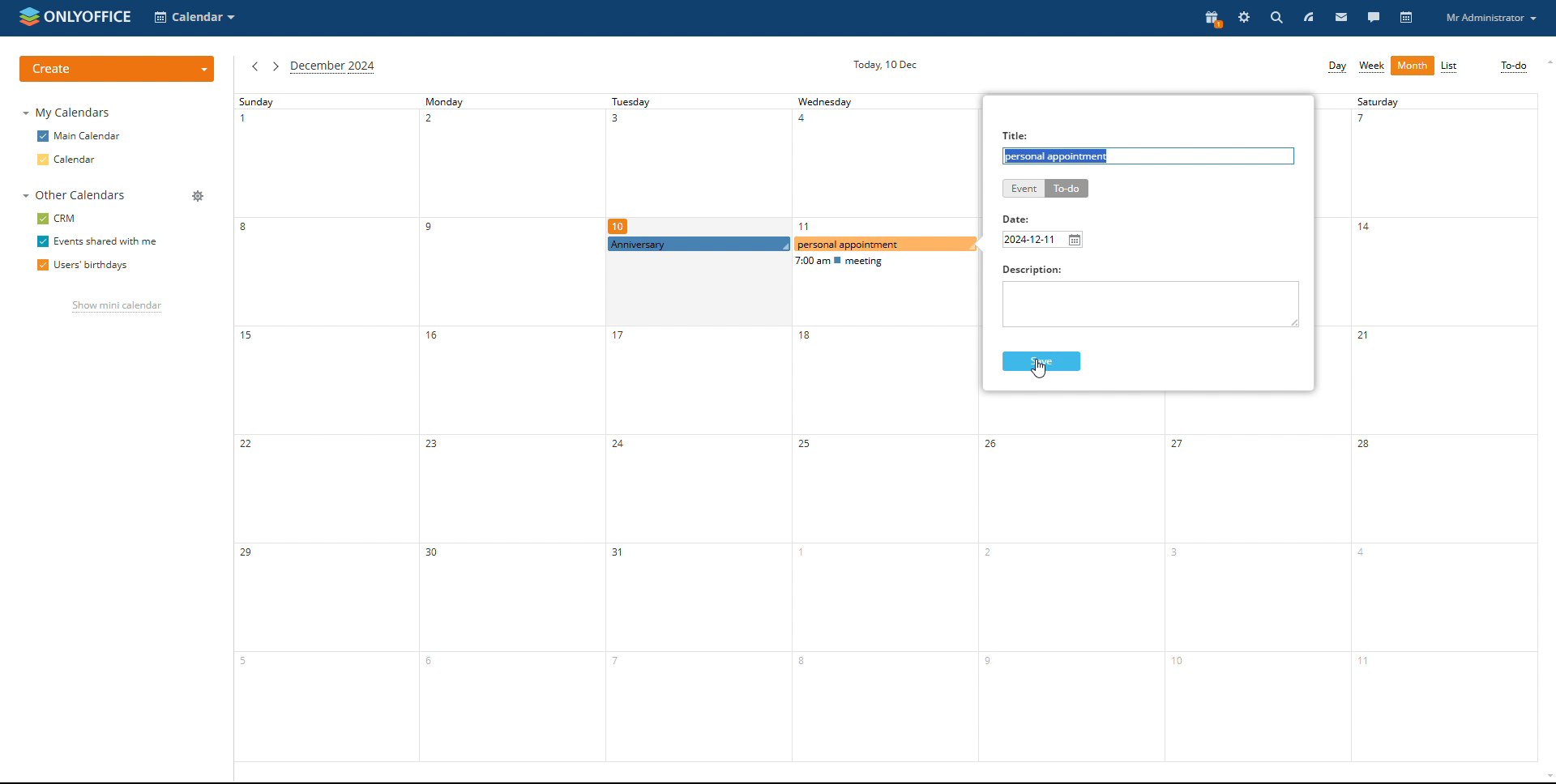 Image resolution: width=1556 pixels, height=784 pixels. What do you see at coordinates (92, 17) in the screenshot?
I see `onlyoffice` at bounding box center [92, 17].